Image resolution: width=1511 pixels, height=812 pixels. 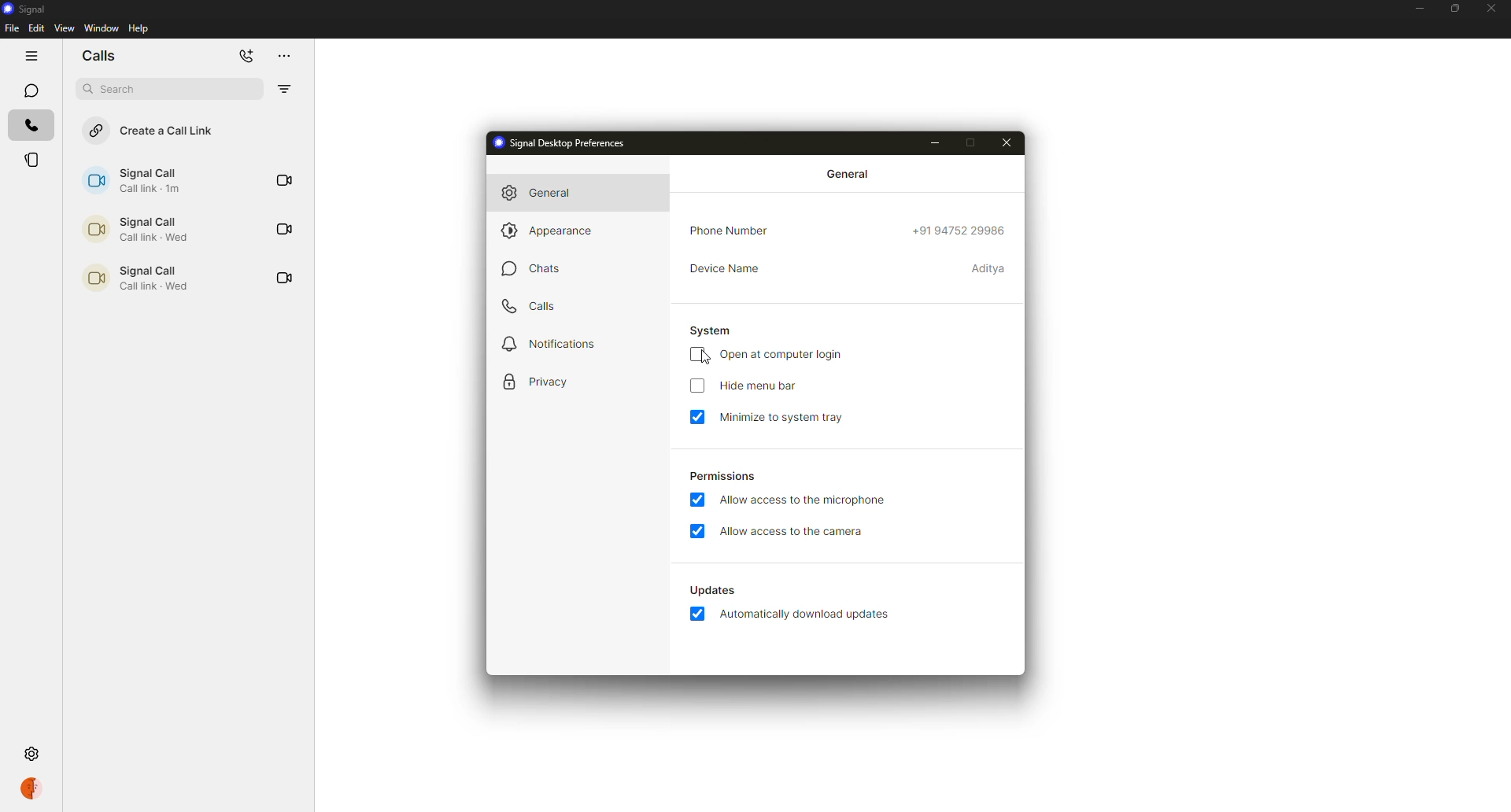 I want to click on signal desktop preferences, so click(x=563, y=142).